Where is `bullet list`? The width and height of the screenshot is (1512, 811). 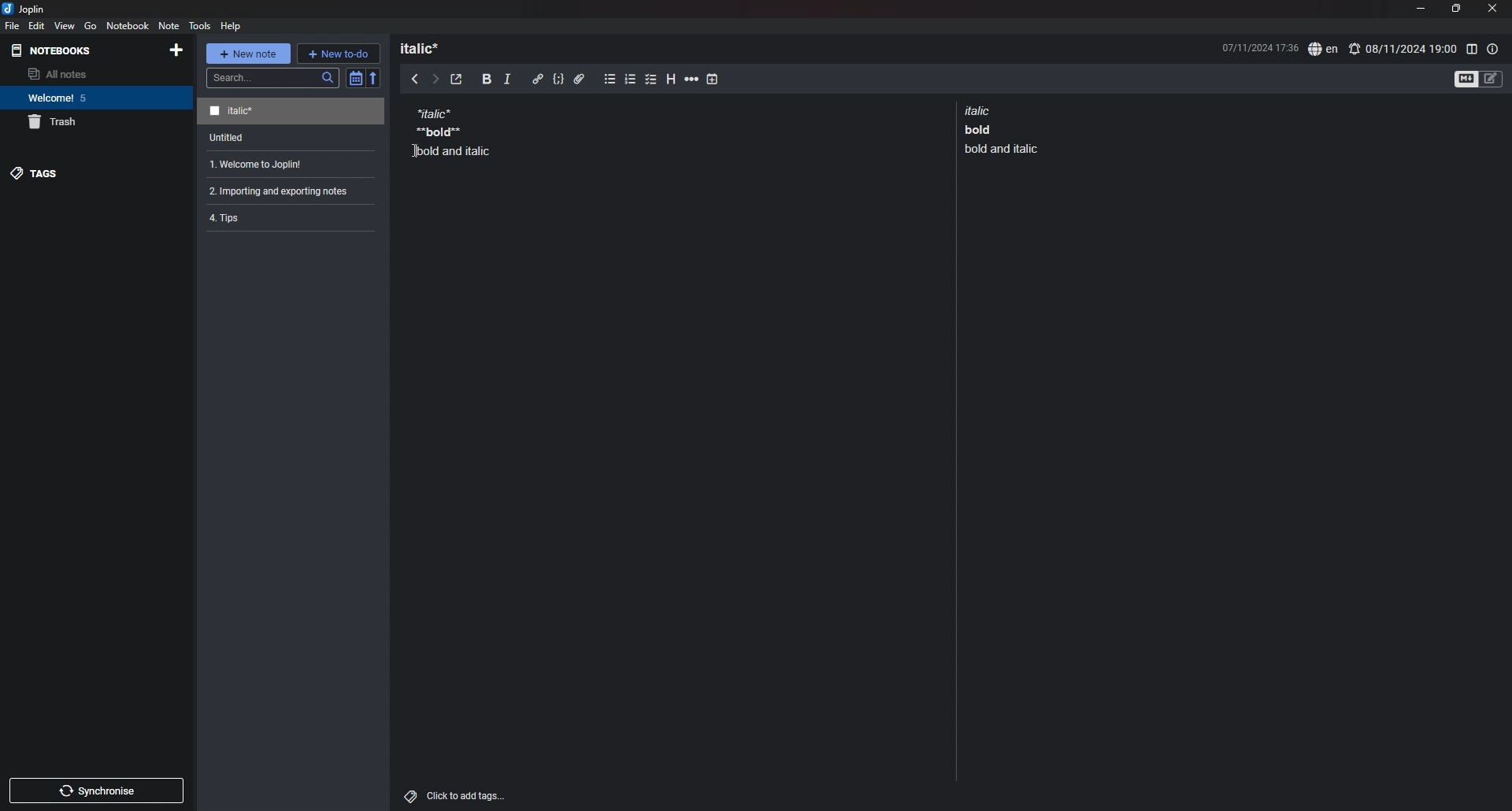
bullet list is located at coordinates (610, 80).